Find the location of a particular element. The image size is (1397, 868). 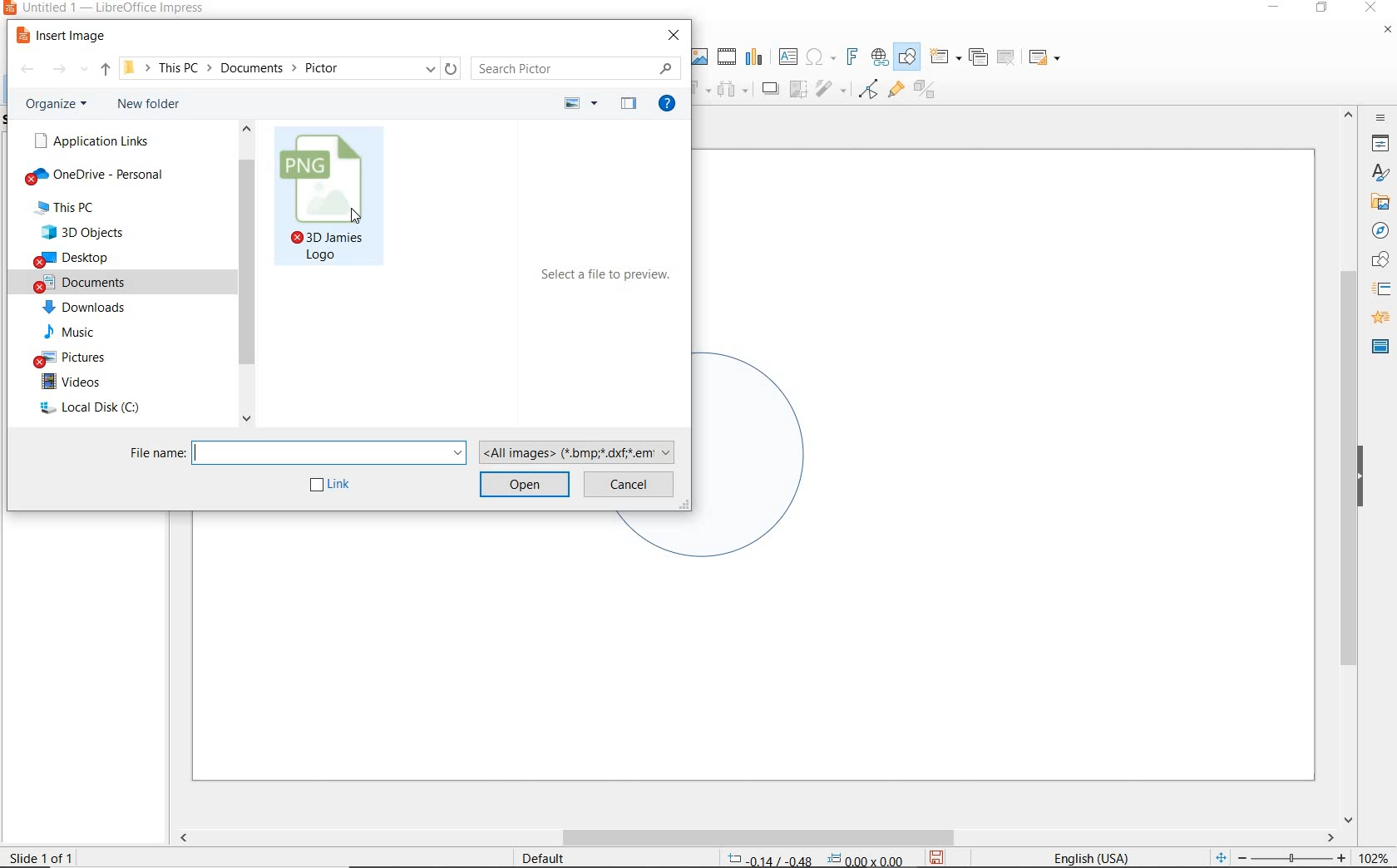

insert fontwork text is located at coordinates (850, 57).